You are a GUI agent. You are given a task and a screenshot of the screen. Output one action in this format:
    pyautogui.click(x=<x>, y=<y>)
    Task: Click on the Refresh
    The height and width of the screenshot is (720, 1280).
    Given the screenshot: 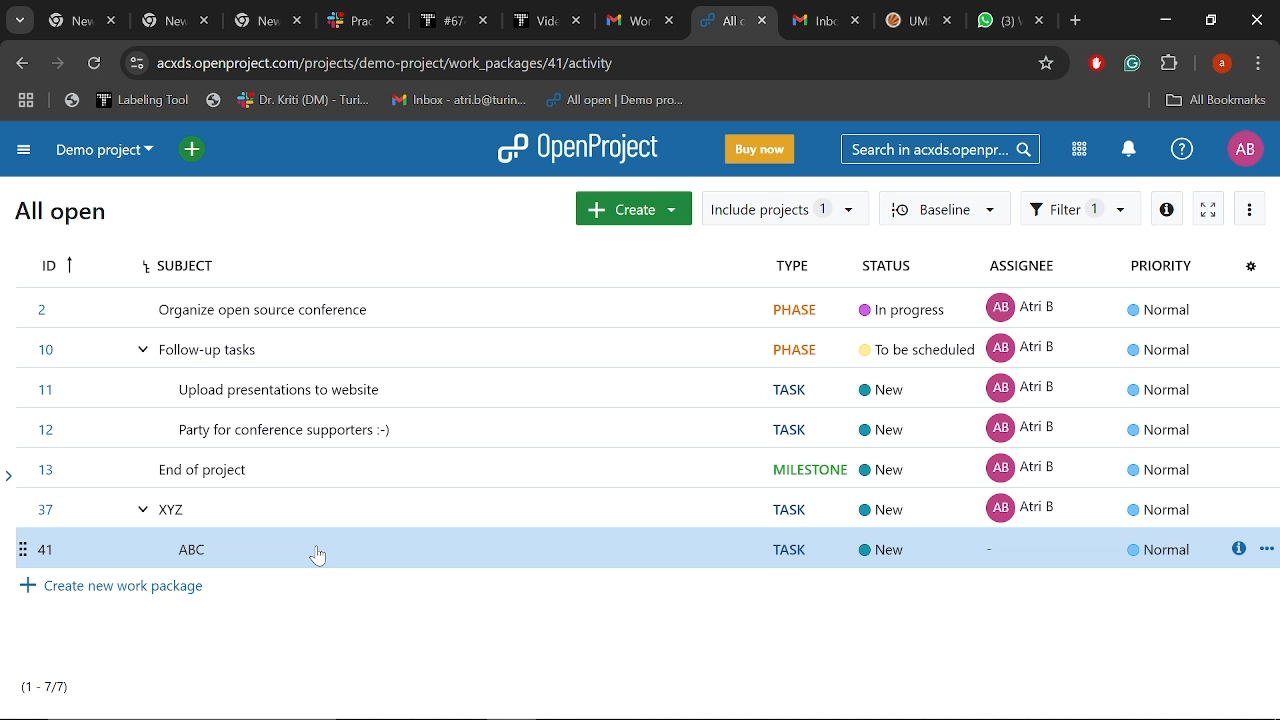 What is the action you would take?
    pyautogui.click(x=98, y=64)
    